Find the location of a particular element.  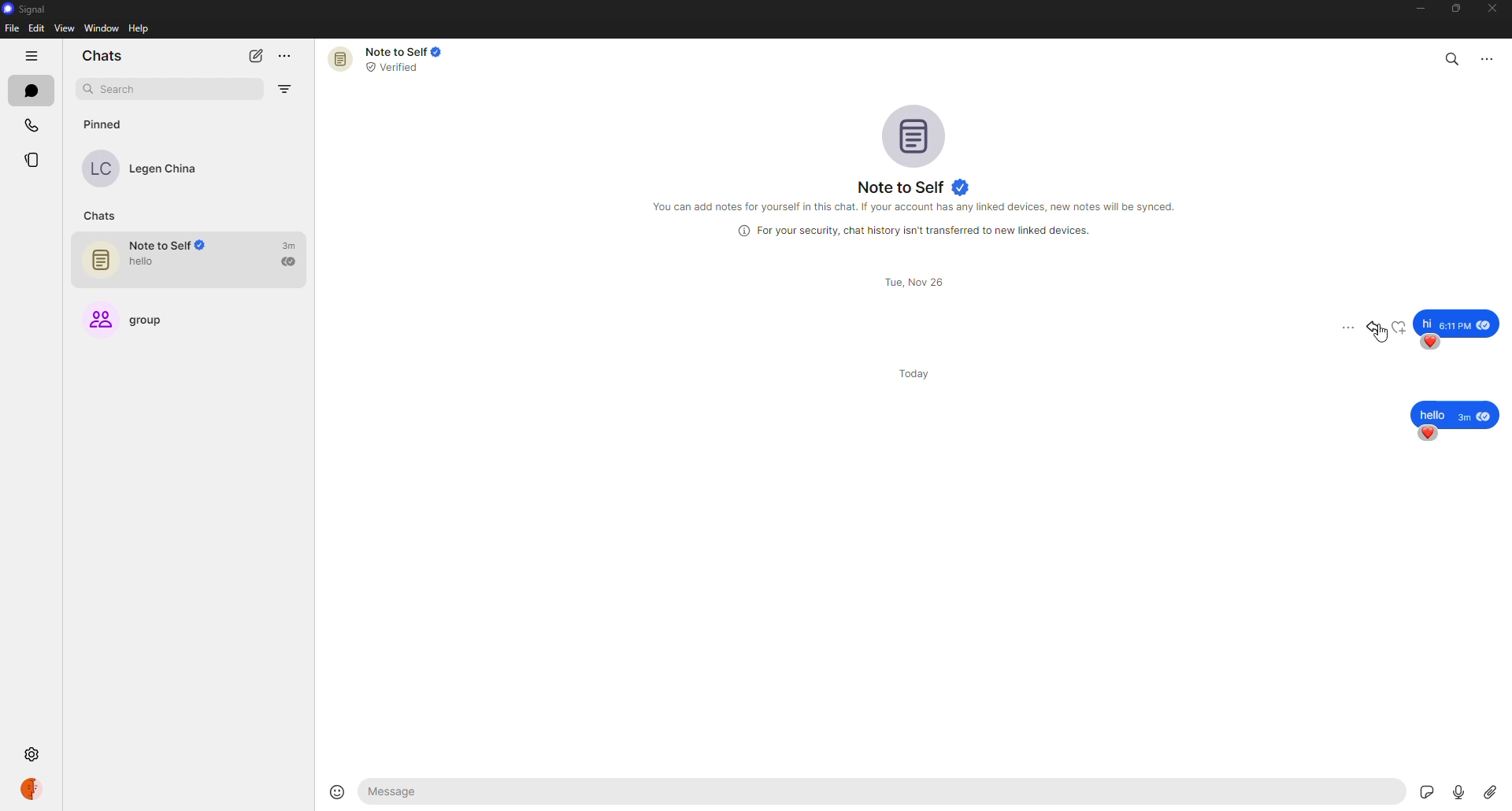

info is located at coordinates (919, 207).